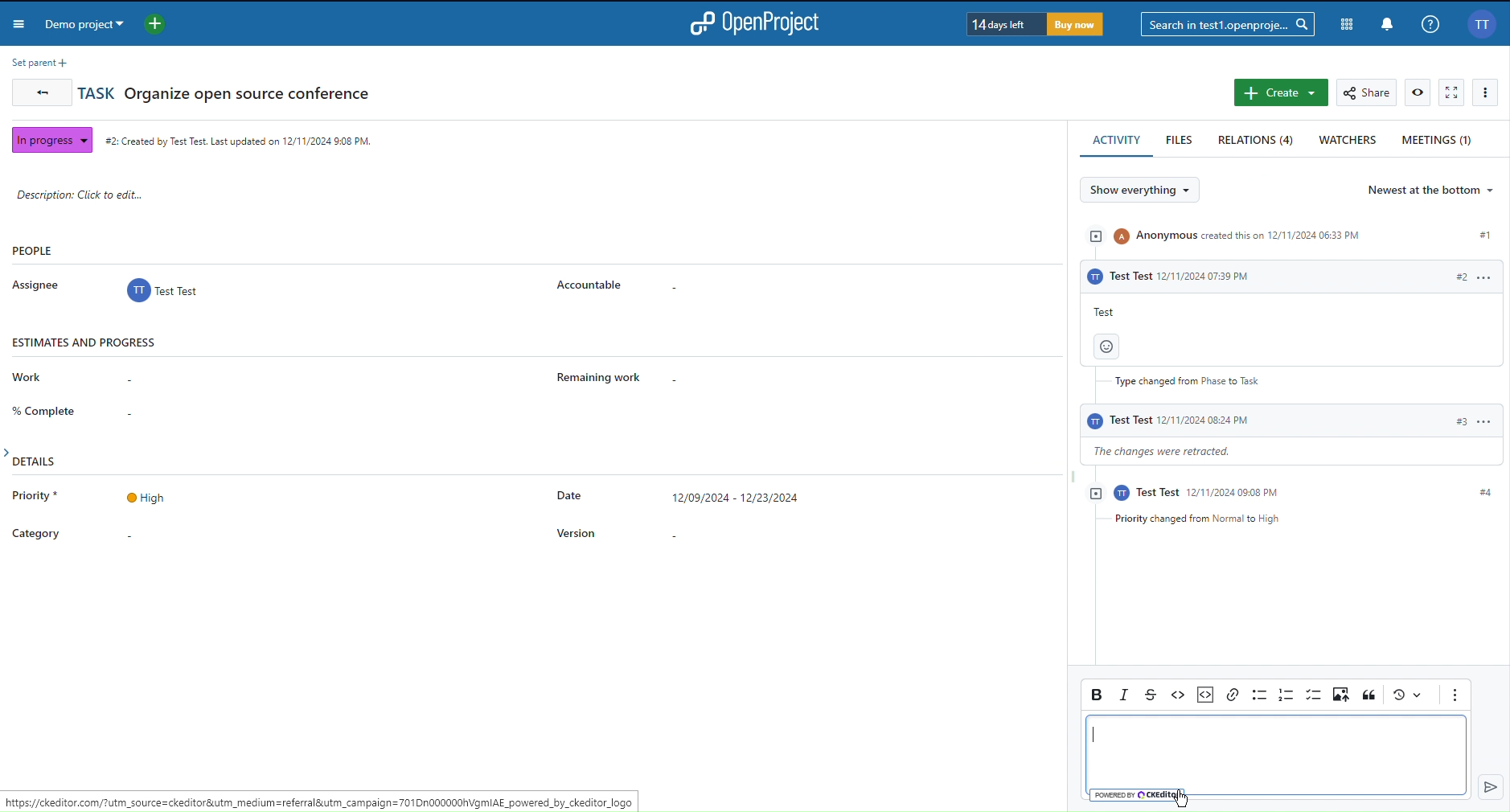 Image resolution: width=1510 pixels, height=812 pixels. I want to click on Activity, so click(1118, 141).